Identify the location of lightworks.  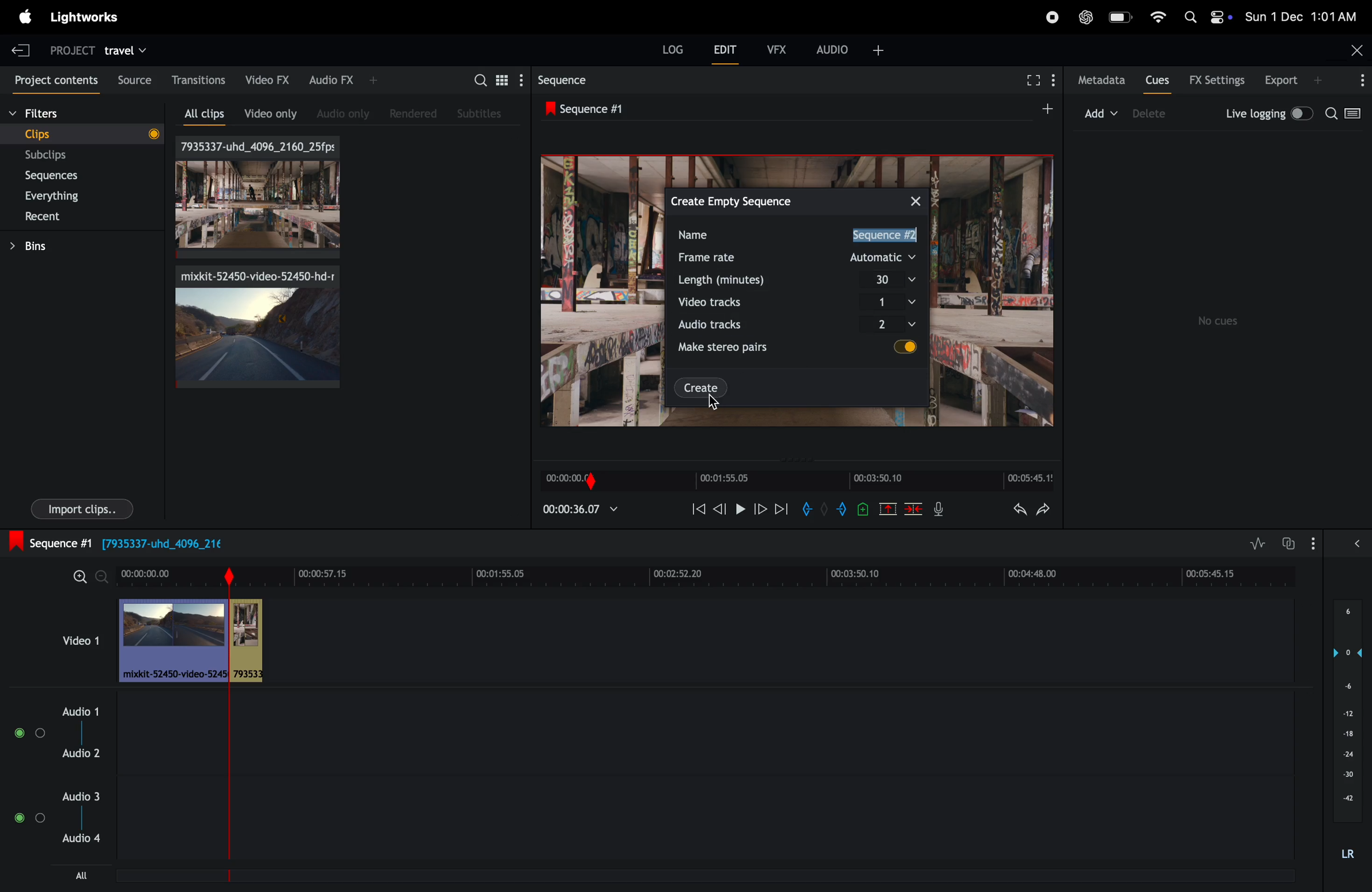
(92, 17).